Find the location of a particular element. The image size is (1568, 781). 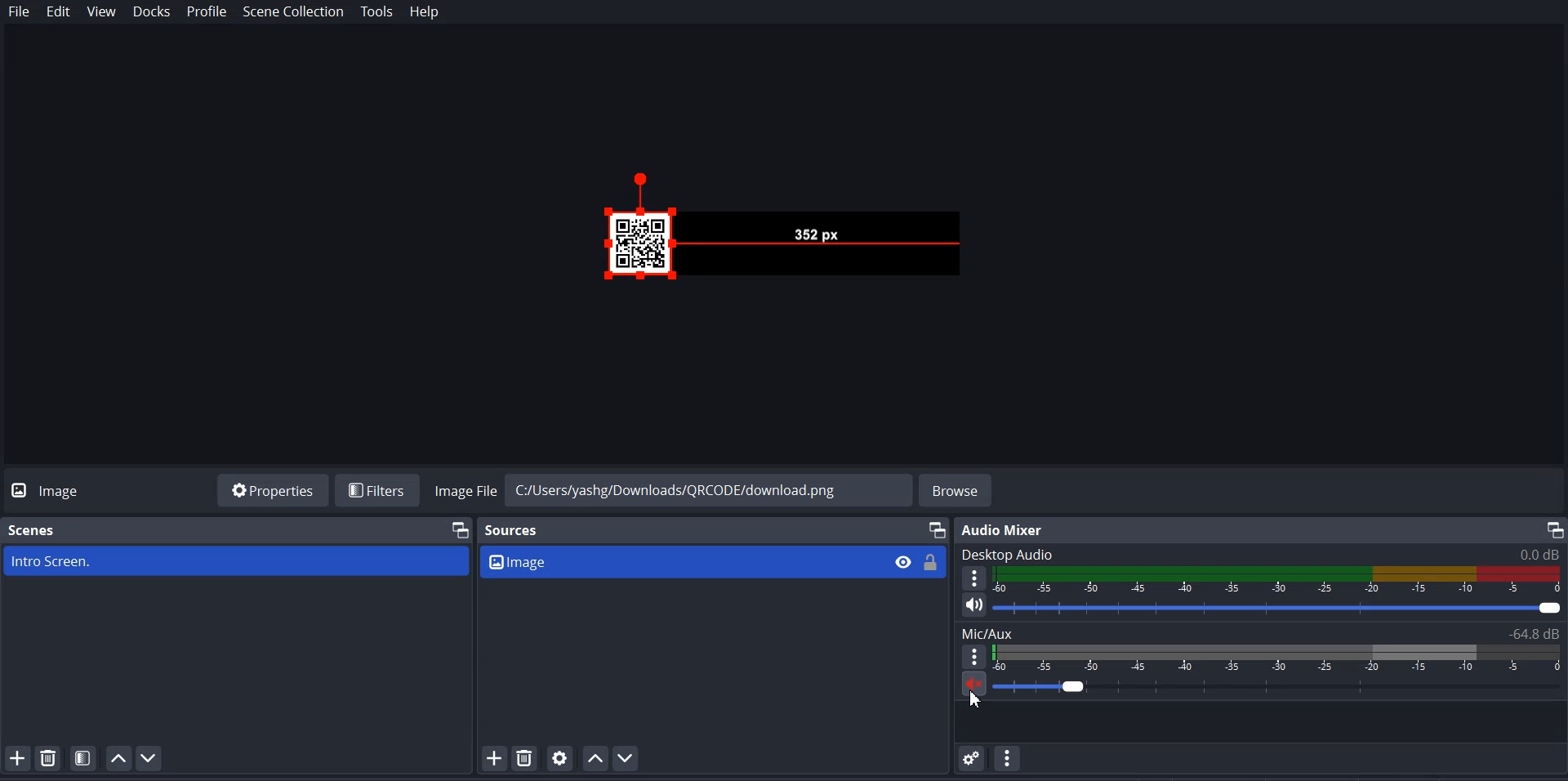

More is located at coordinates (974, 656).